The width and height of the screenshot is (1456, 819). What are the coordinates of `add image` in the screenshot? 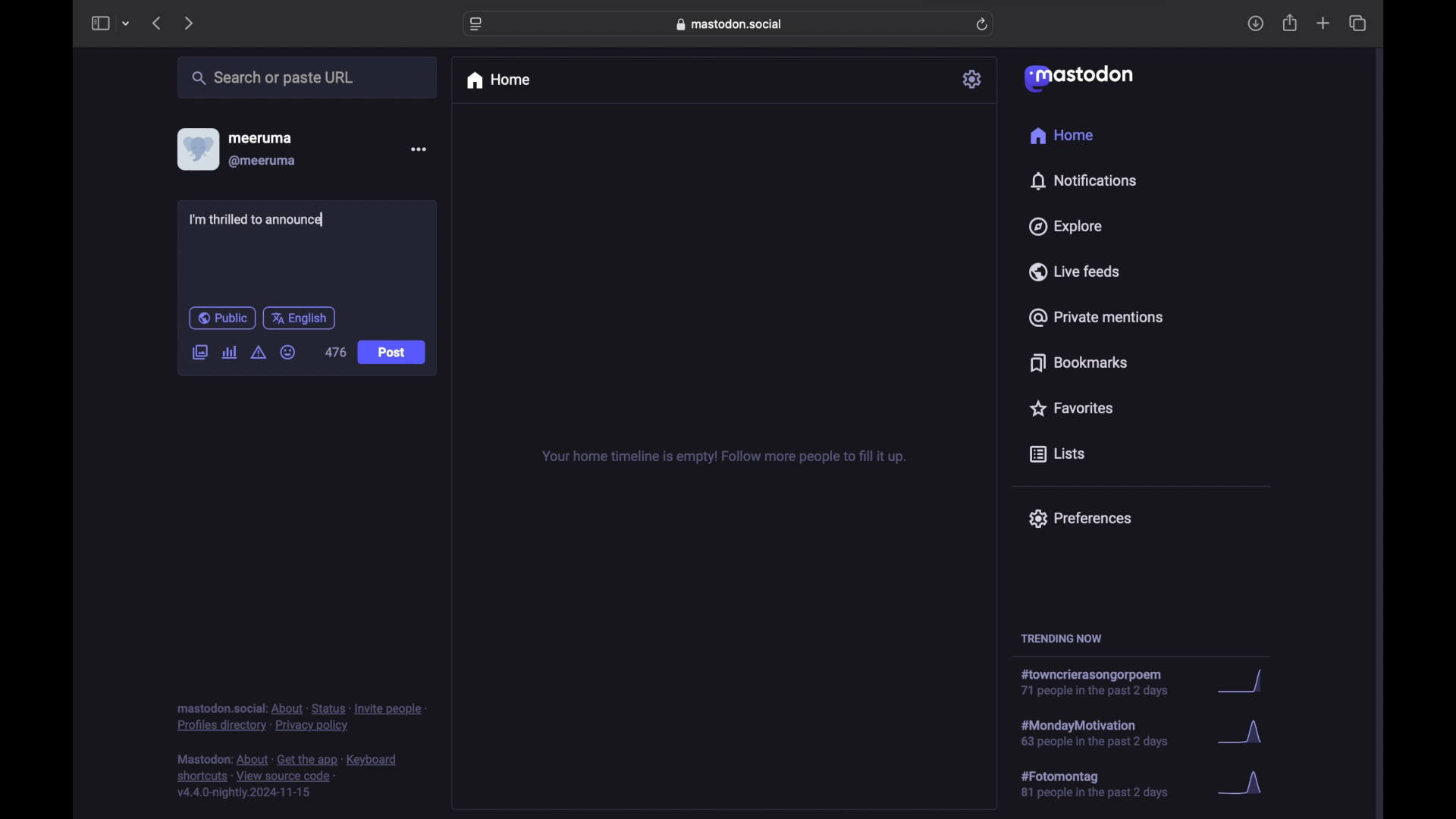 It's located at (199, 353).